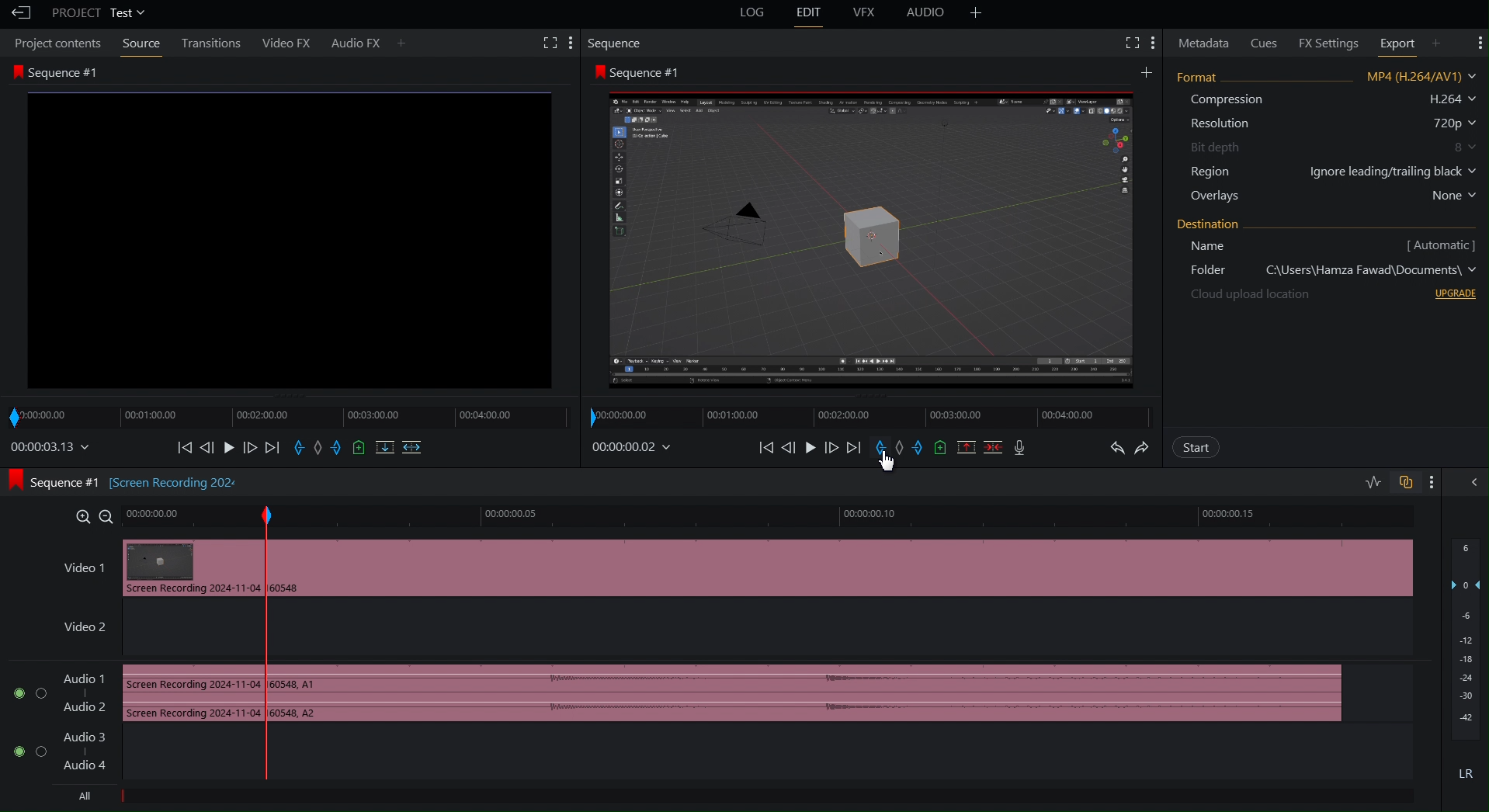 Image resolution: width=1489 pixels, height=812 pixels. I want to click on Sequence#1 [Screen Recording 202, so click(127, 483).